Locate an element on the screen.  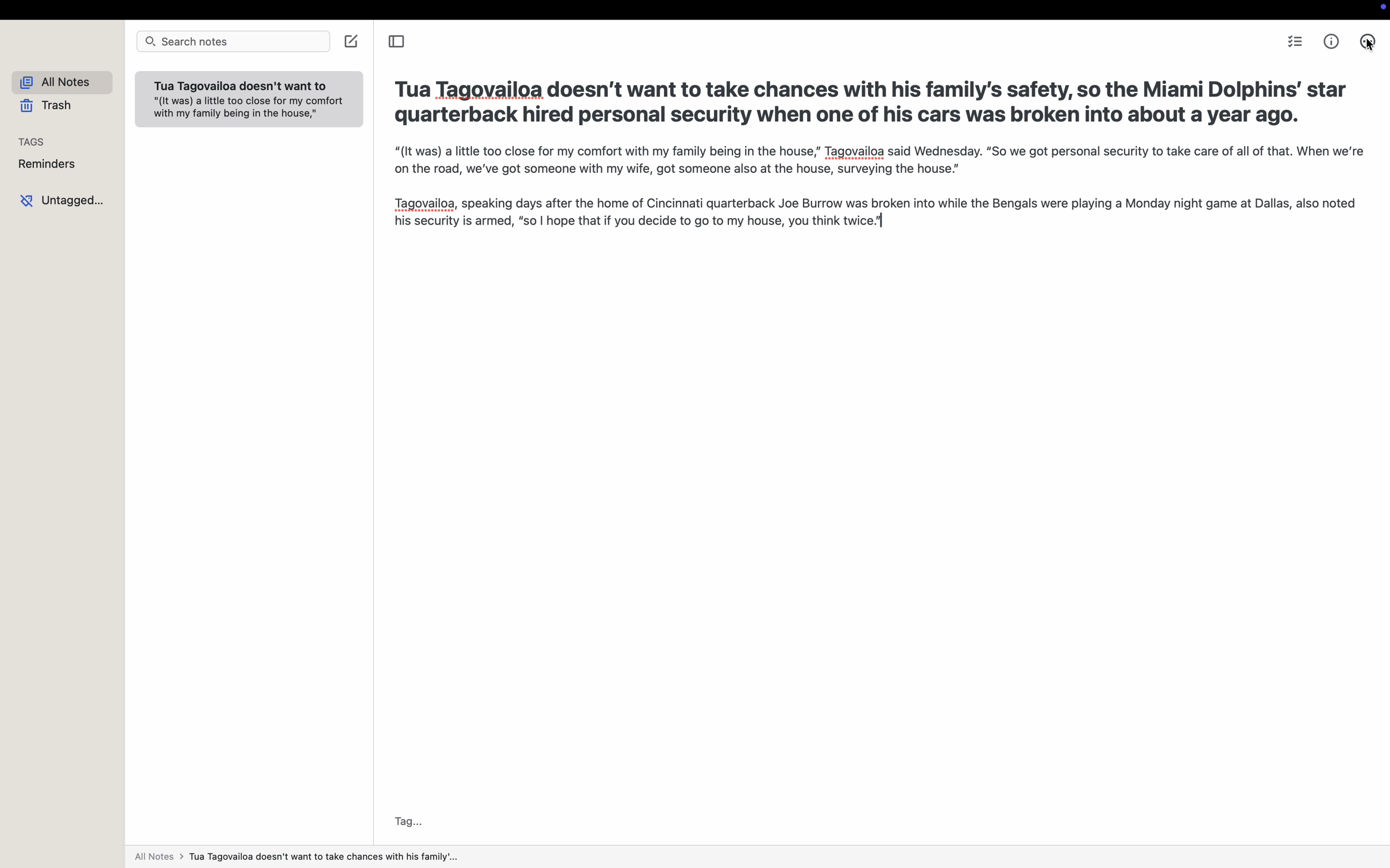
search bar is located at coordinates (231, 41).